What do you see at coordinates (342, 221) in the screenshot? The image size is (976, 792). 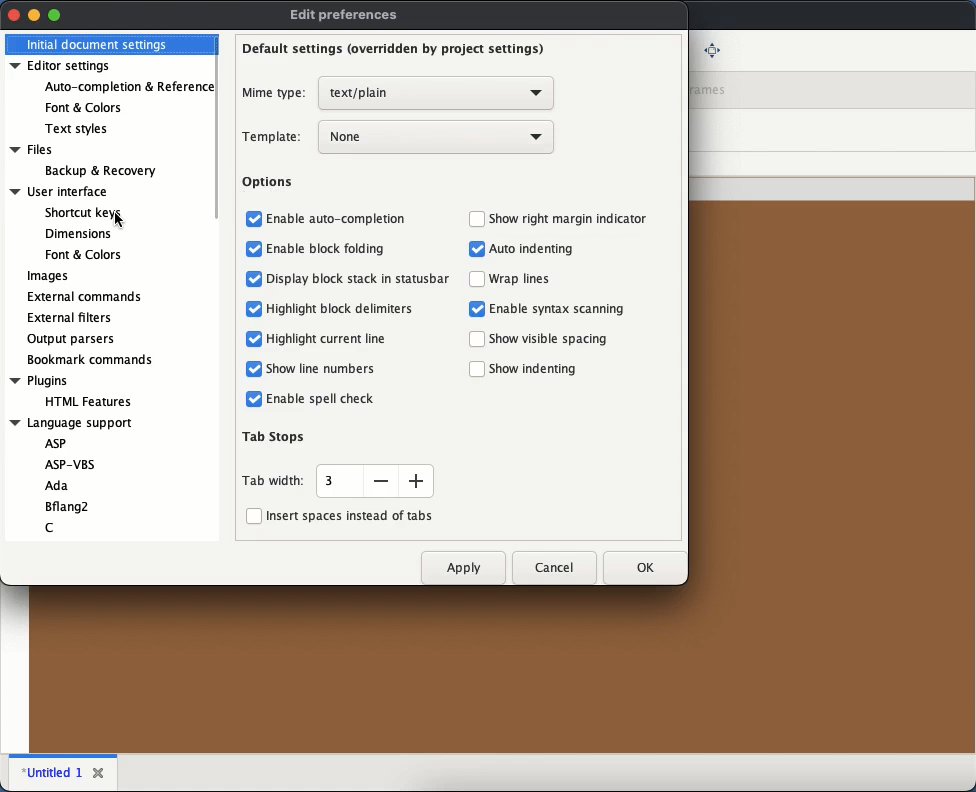 I see `Enable auto-completion` at bounding box center [342, 221].